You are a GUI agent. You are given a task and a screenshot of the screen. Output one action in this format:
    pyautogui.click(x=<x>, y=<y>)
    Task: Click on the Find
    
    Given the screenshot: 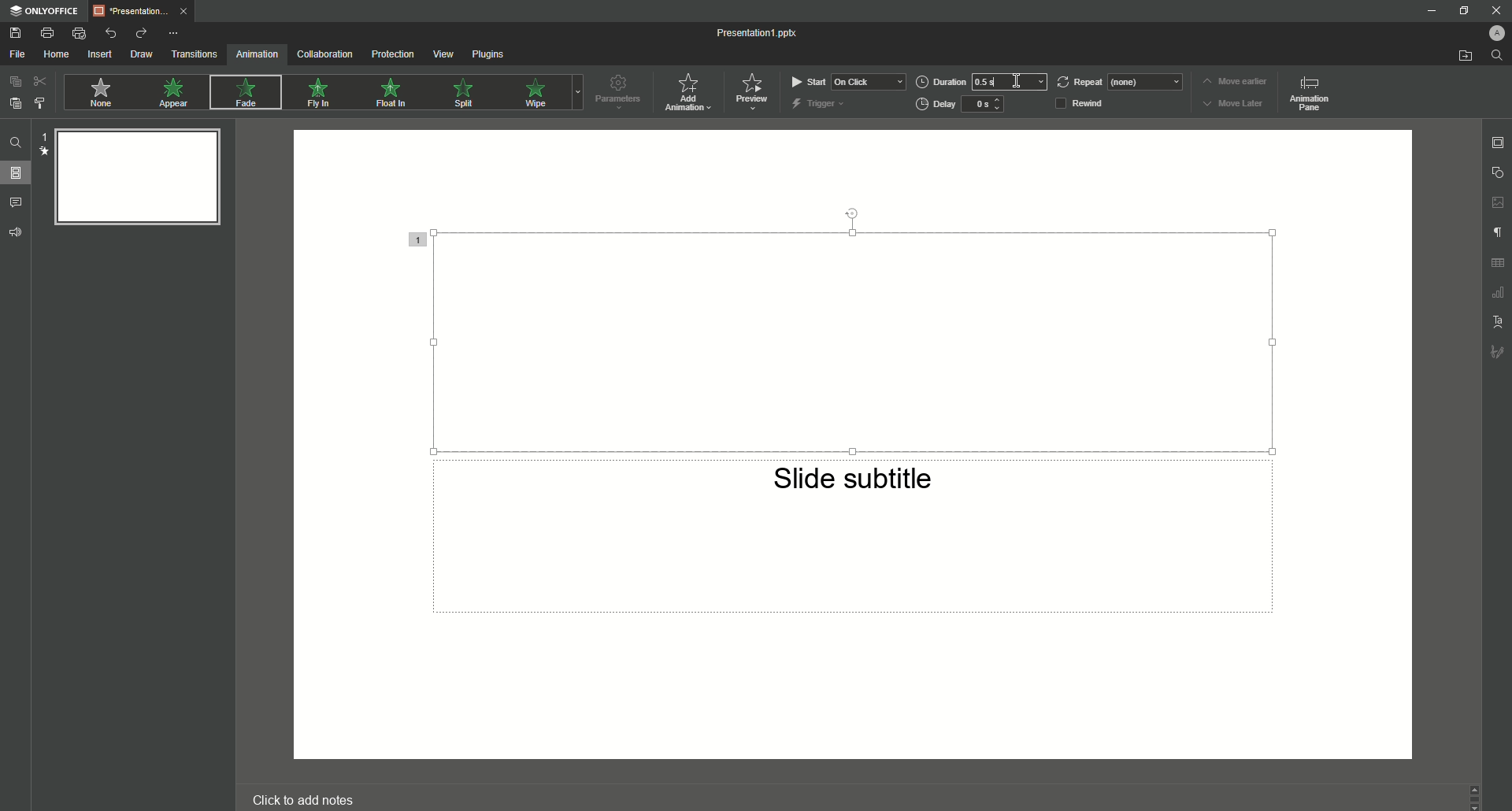 What is the action you would take?
    pyautogui.click(x=18, y=145)
    